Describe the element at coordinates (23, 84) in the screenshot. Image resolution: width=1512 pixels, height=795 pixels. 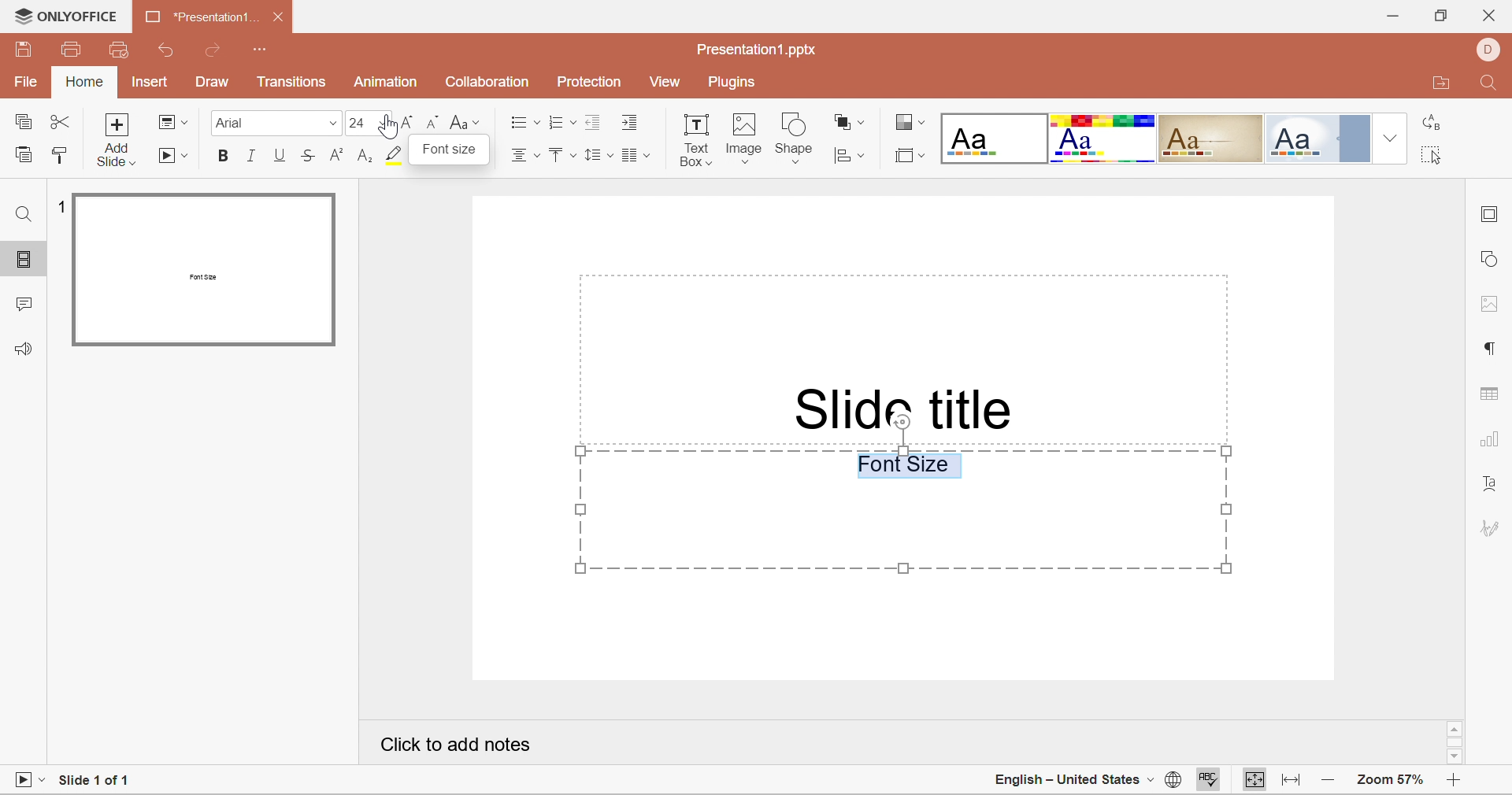
I see `File` at that location.